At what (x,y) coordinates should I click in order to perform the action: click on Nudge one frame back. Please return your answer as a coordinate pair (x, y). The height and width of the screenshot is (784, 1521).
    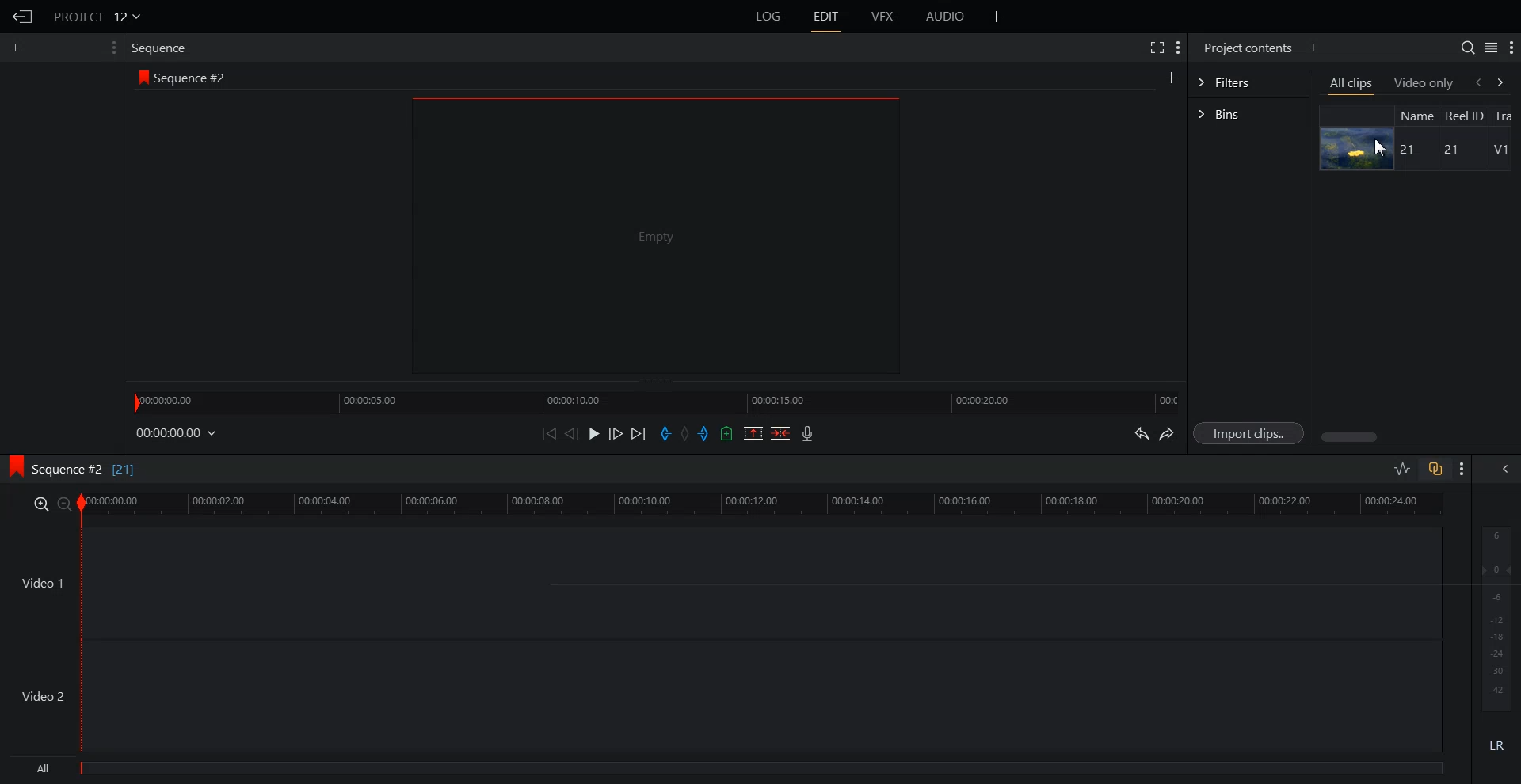
    Looking at the image, I should click on (572, 433).